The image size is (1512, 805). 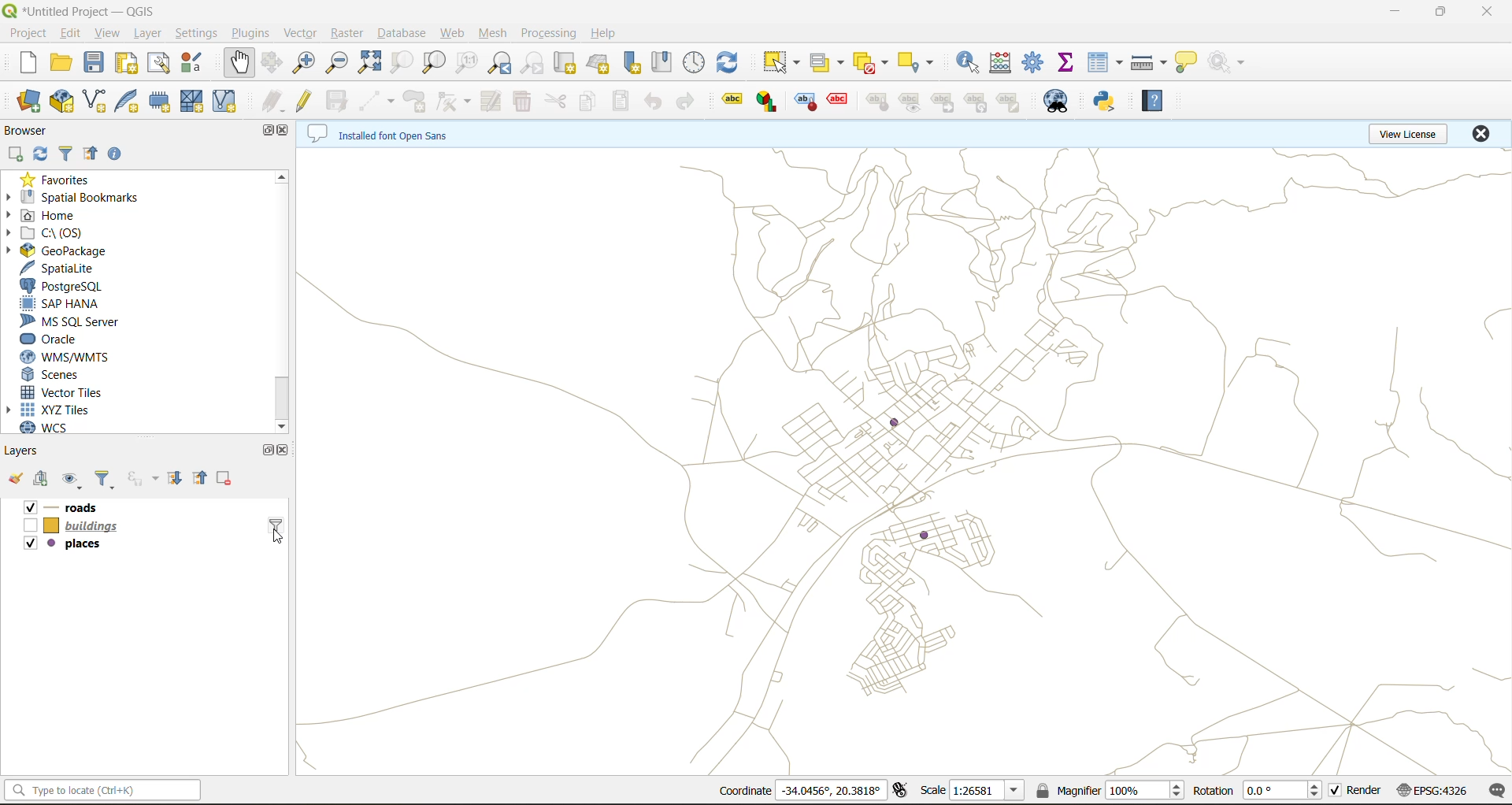 I want to click on zoom layer, so click(x=437, y=63).